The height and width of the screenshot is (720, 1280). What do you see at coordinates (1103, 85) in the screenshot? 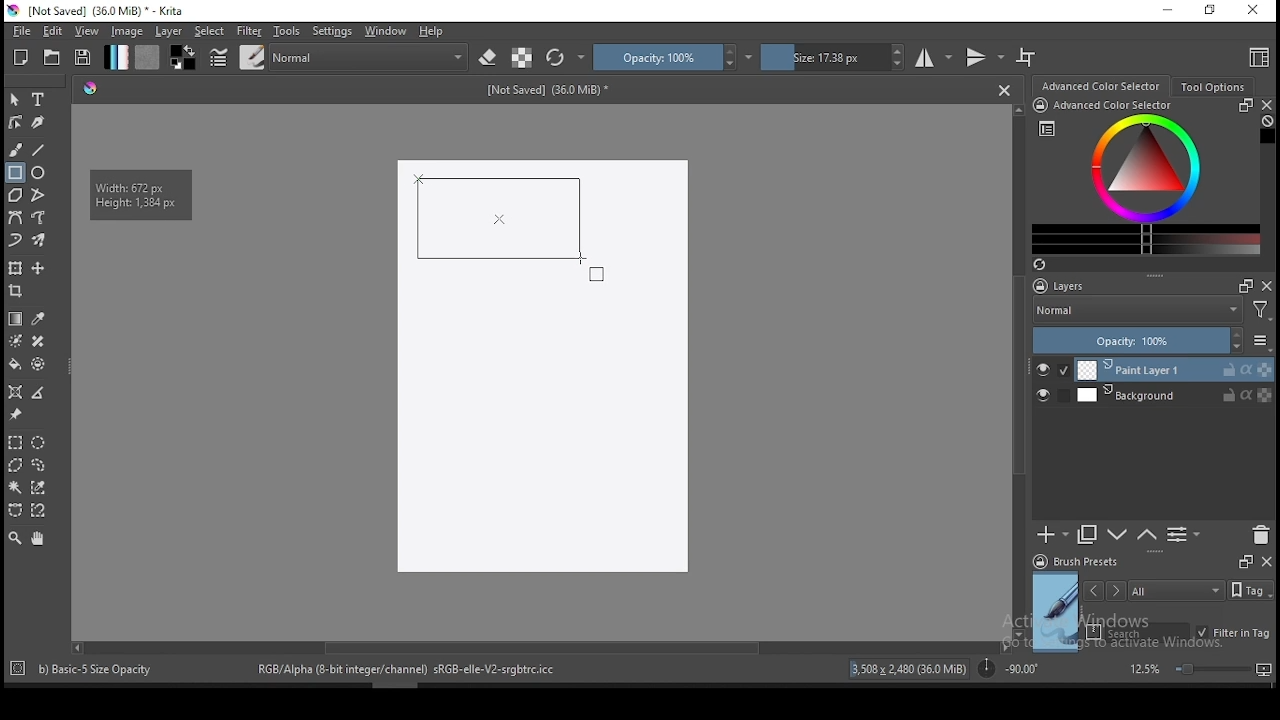
I see `advance color selector` at bounding box center [1103, 85].